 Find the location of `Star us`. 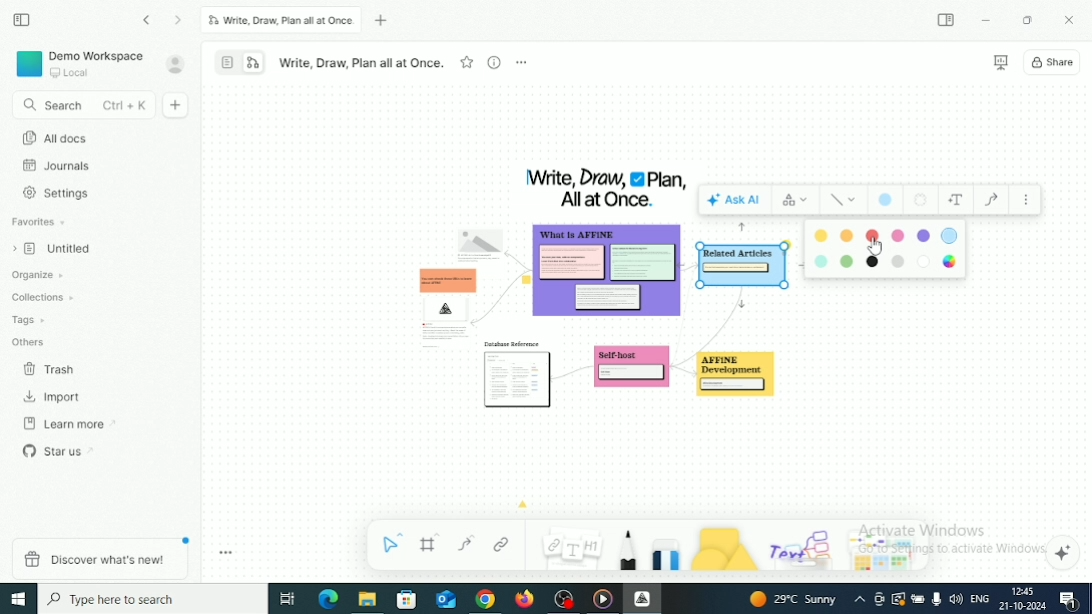

Star us is located at coordinates (59, 450).